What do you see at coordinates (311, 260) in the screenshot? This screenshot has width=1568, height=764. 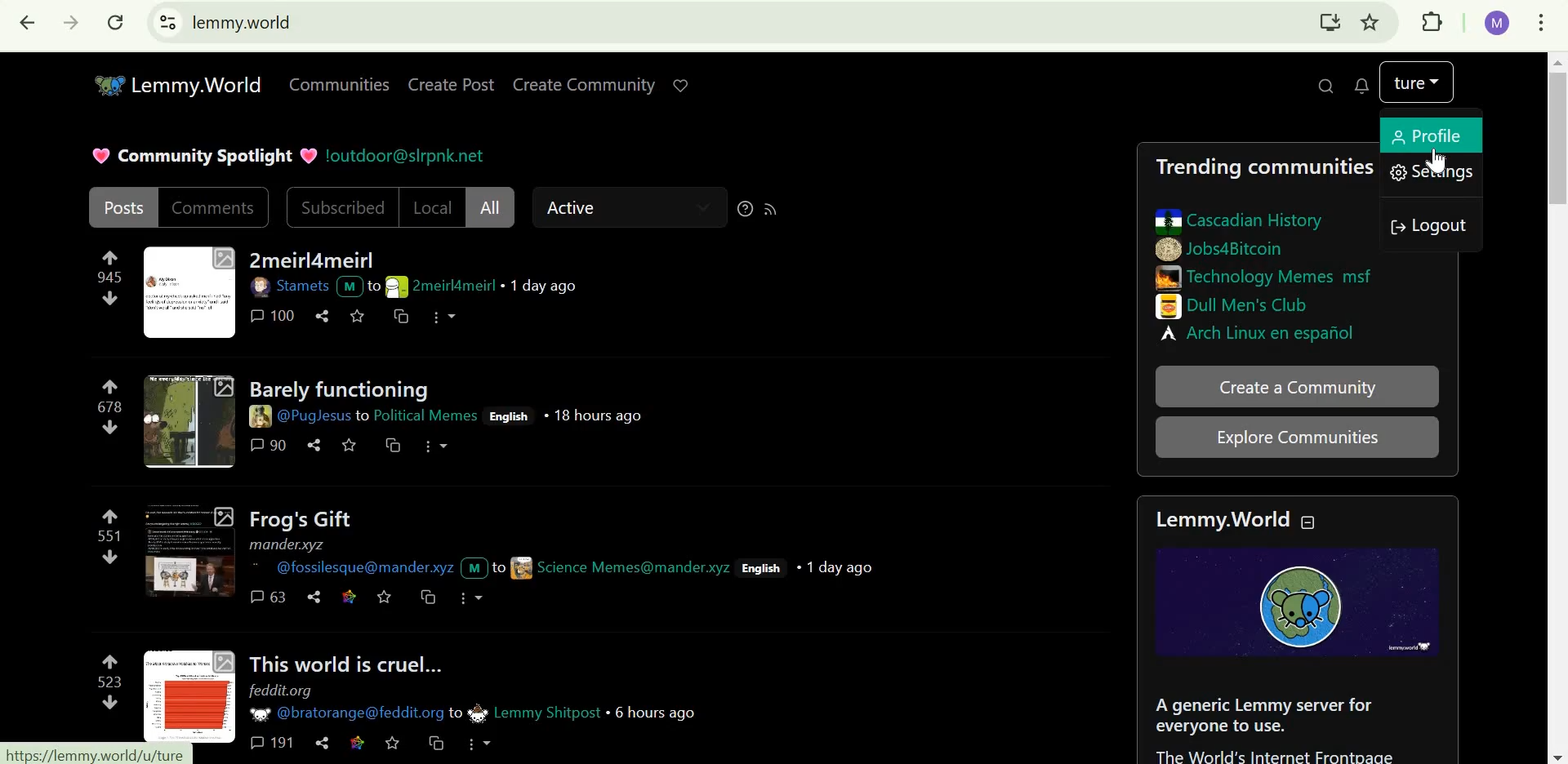 I see `2meirl4meirl` at bounding box center [311, 260].